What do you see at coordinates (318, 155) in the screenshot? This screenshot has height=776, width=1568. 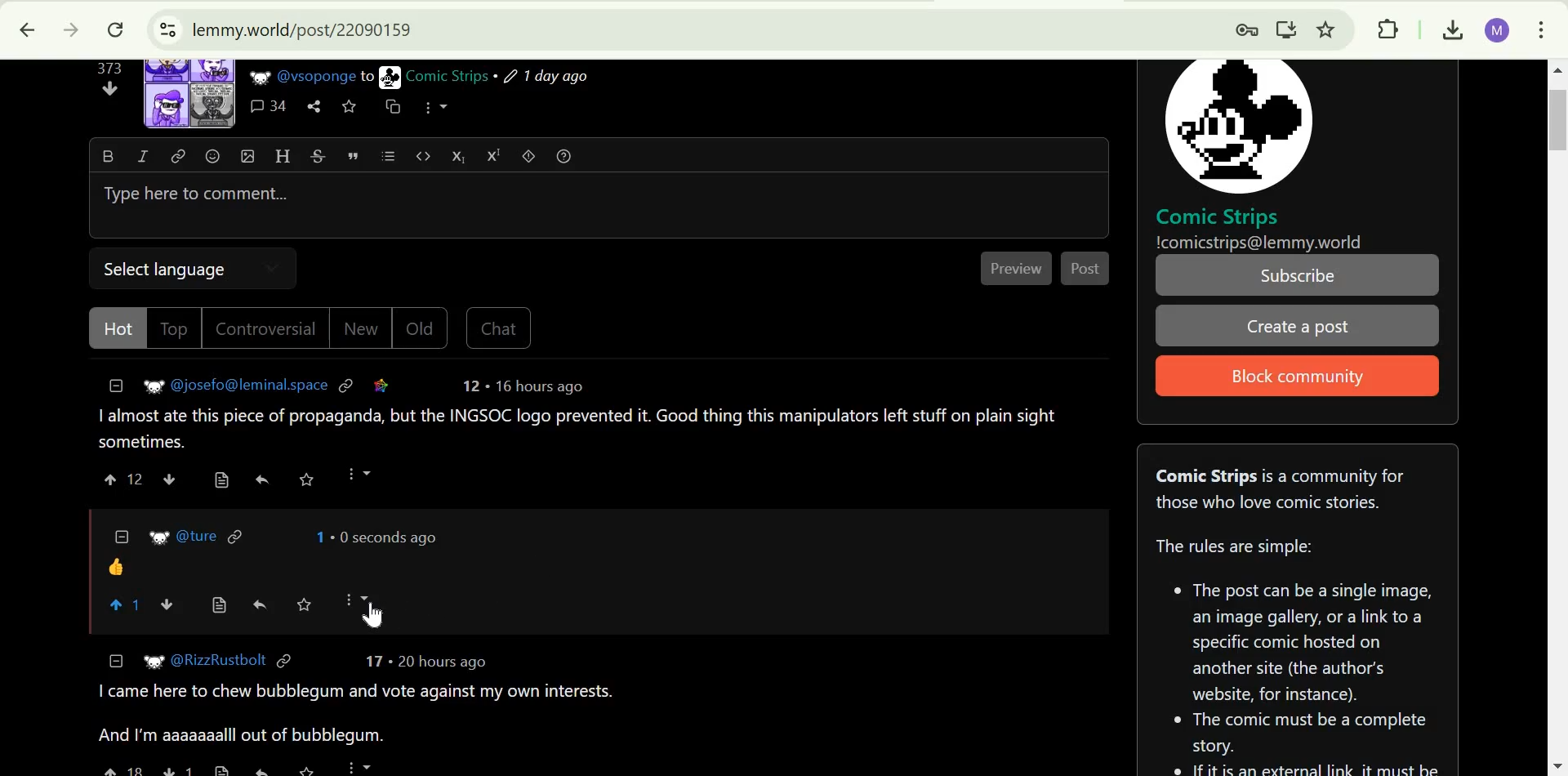 I see `Strikethrough` at bounding box center [318, 155].